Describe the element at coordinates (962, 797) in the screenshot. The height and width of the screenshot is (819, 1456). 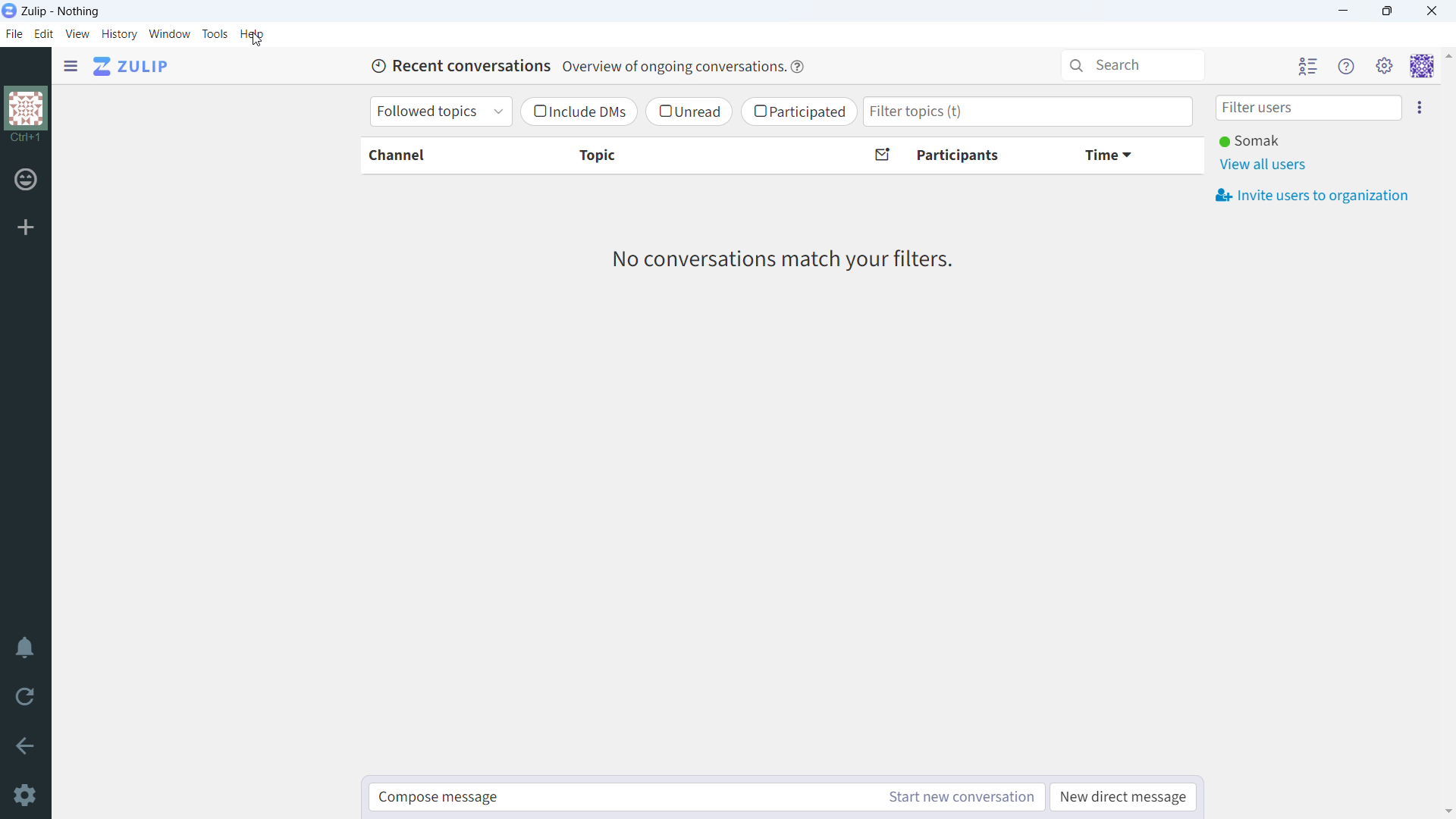
I see `start new conversation` at that location.